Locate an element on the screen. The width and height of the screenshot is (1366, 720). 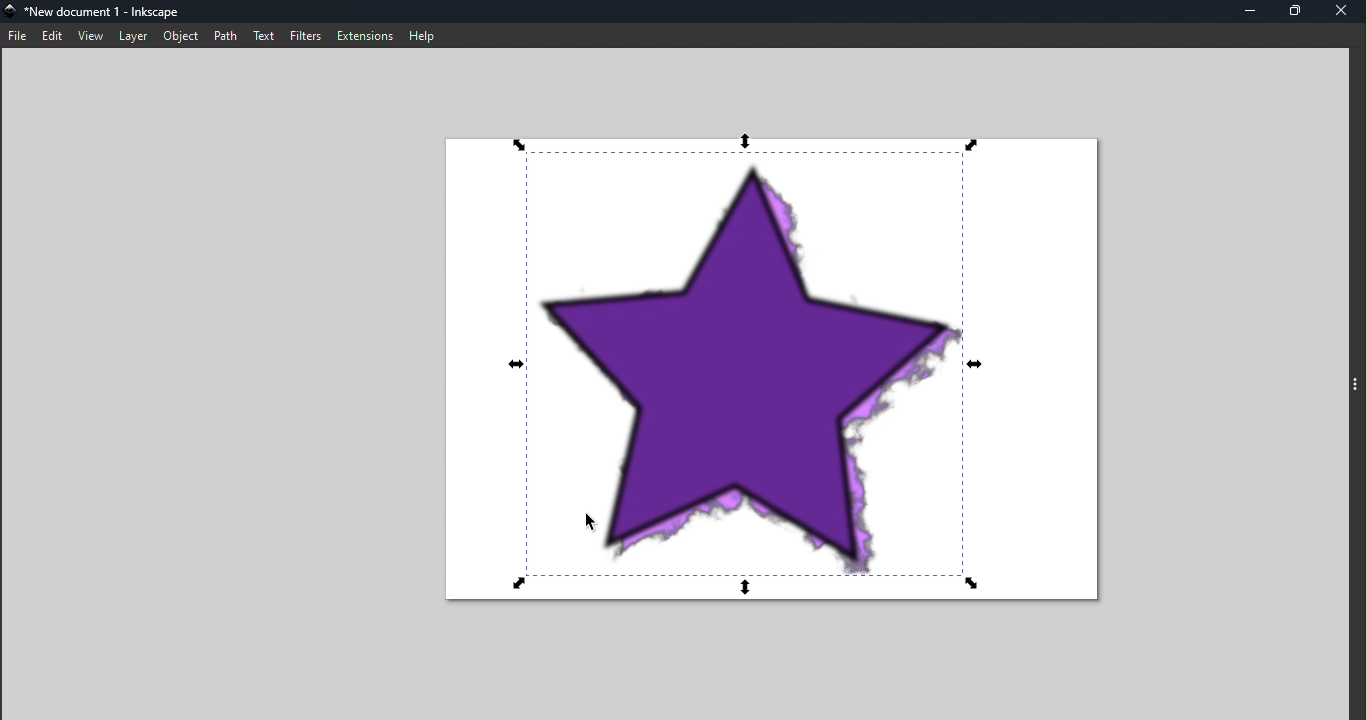
Canvas is located at coordinates (775, 371).